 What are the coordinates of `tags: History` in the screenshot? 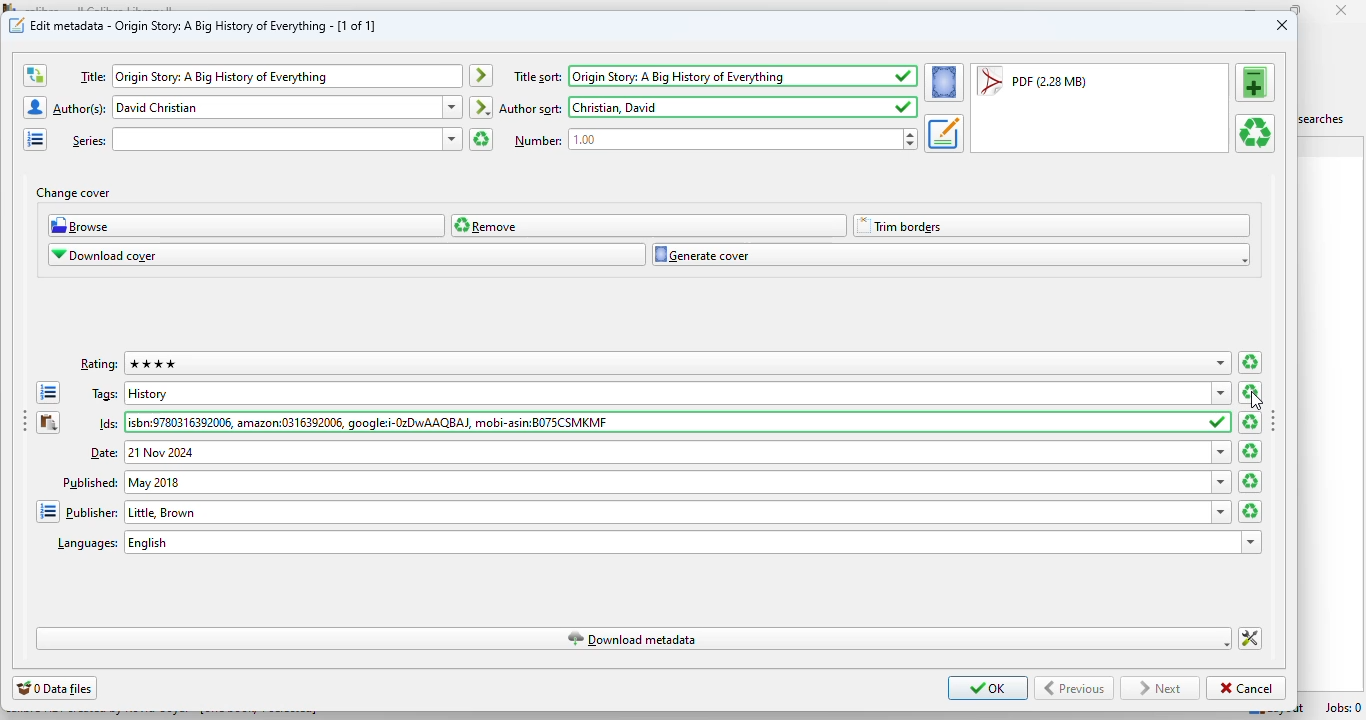 It's located at (667, 392).